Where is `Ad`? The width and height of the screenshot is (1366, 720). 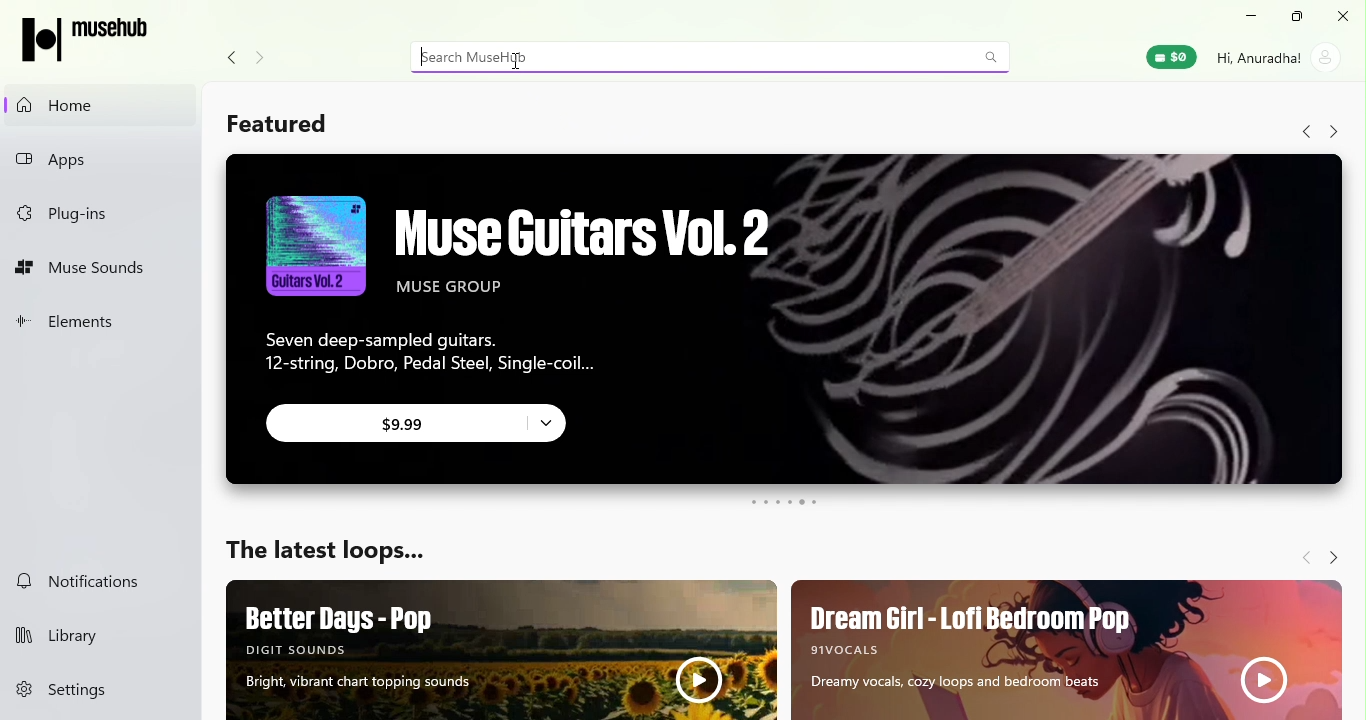 Ad is located at coordinates (504, 650).